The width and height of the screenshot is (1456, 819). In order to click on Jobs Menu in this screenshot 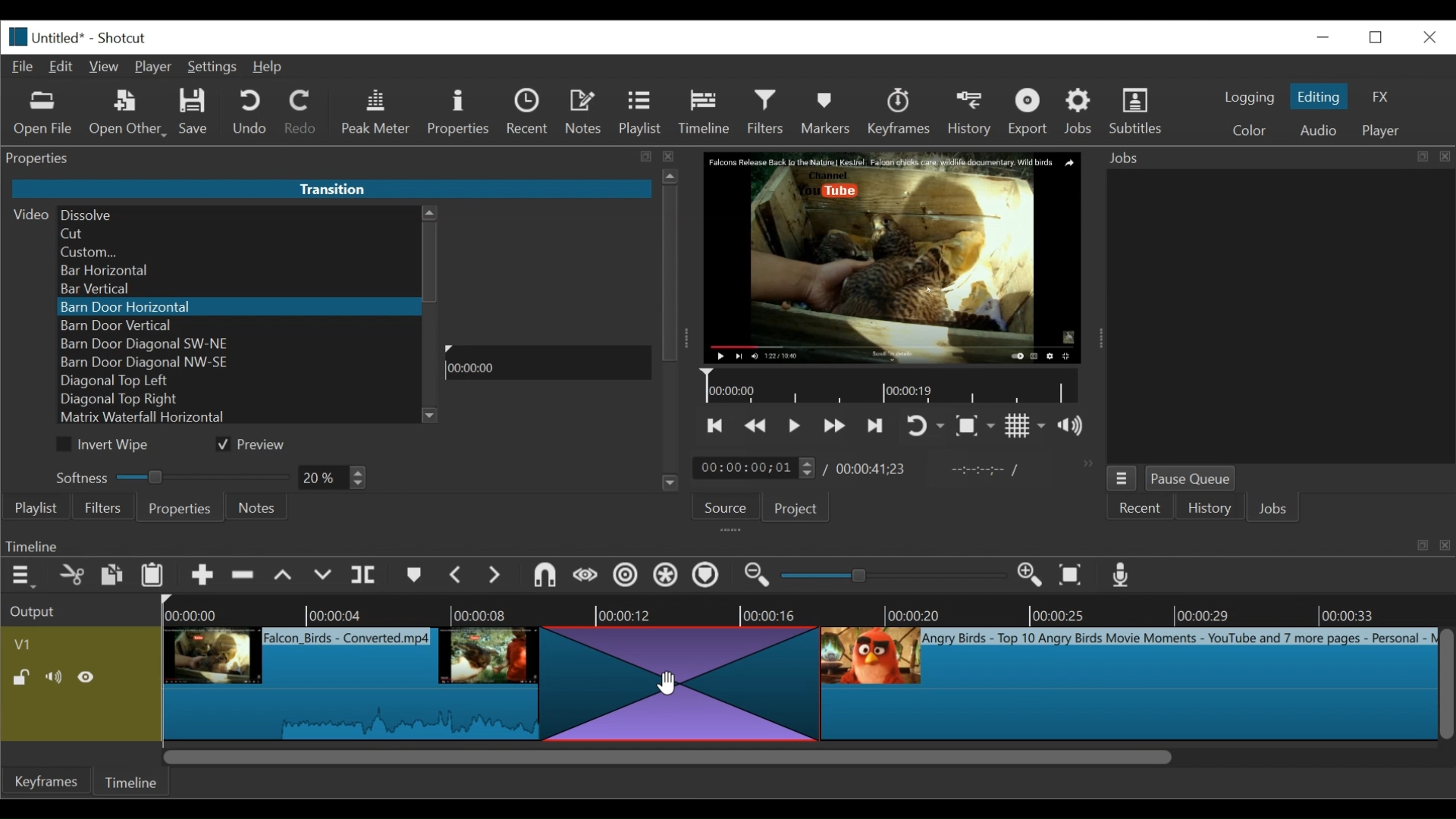, I will do `click(1125, 479)`.